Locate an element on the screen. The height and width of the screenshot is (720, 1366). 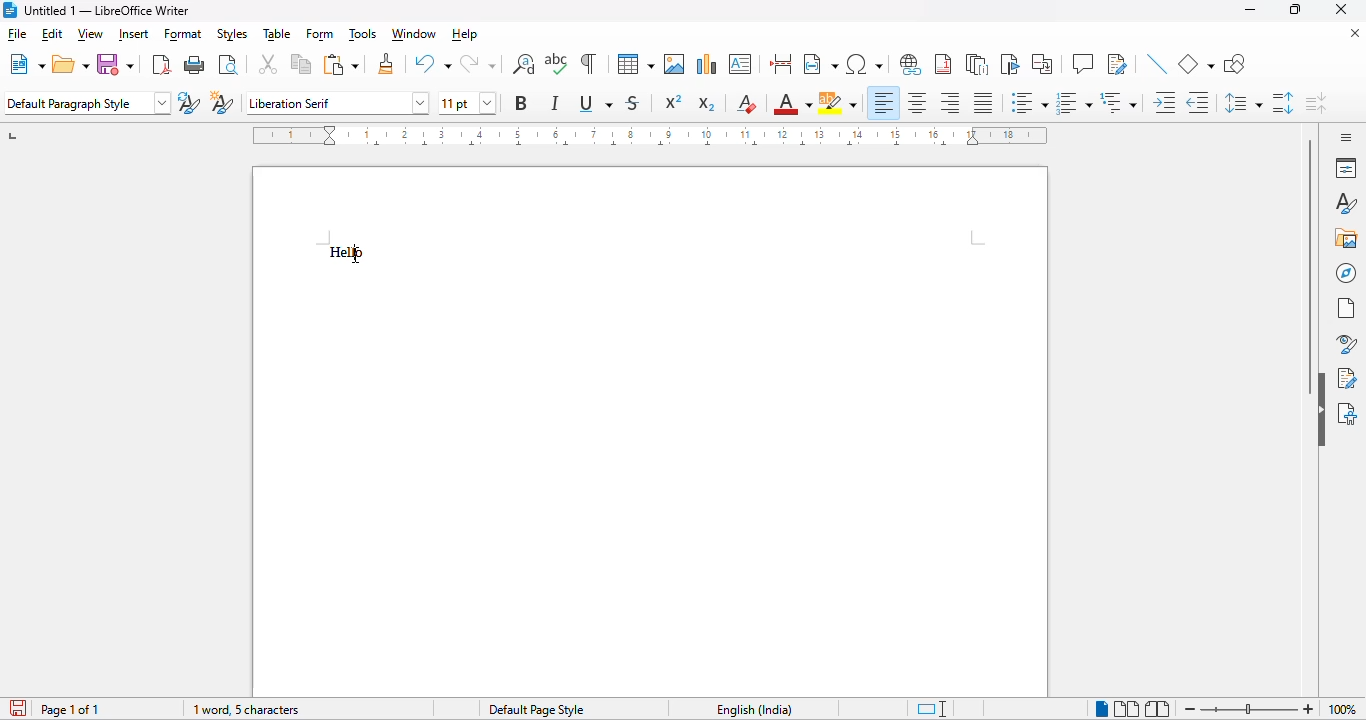
toggle formatting marks is located at coordinates (589, 63).